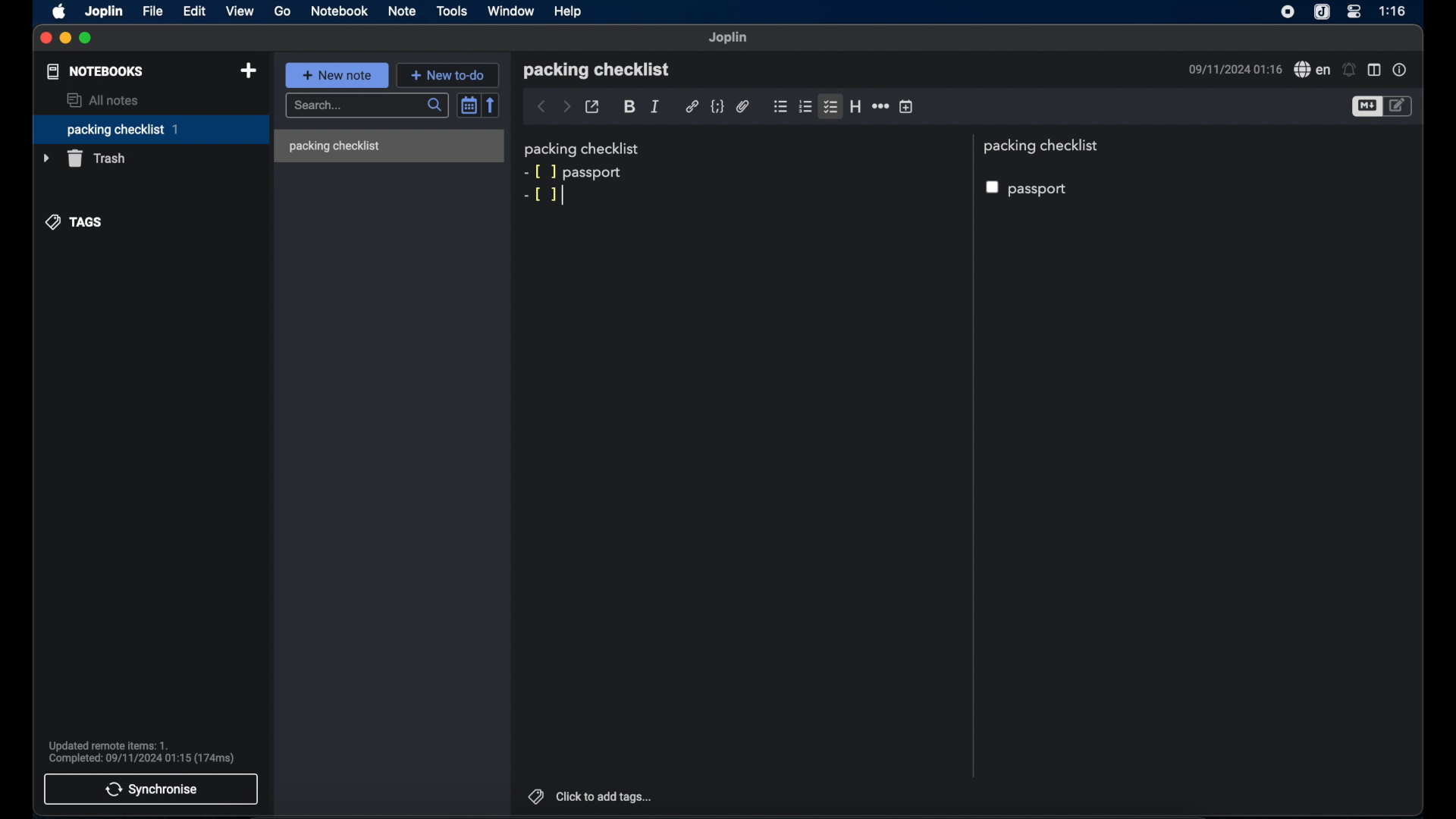 The image size is (1456, 819). I want to click on set alarm, so click(1349, 69).